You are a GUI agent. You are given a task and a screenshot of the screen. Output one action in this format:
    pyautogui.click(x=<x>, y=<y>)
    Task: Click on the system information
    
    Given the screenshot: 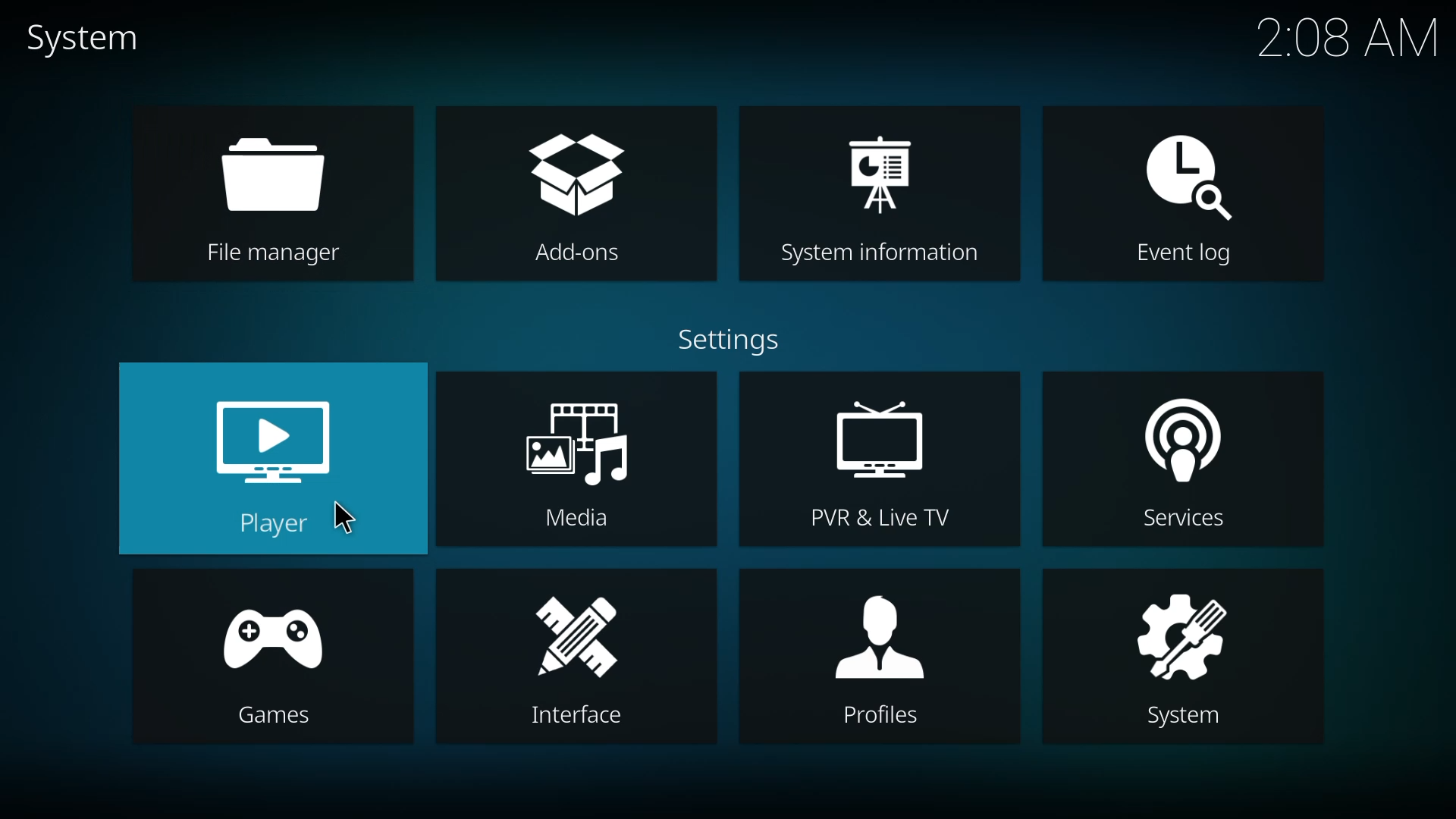 What is the action you would take?
    pyautogui.click(x=875, y=196)
    